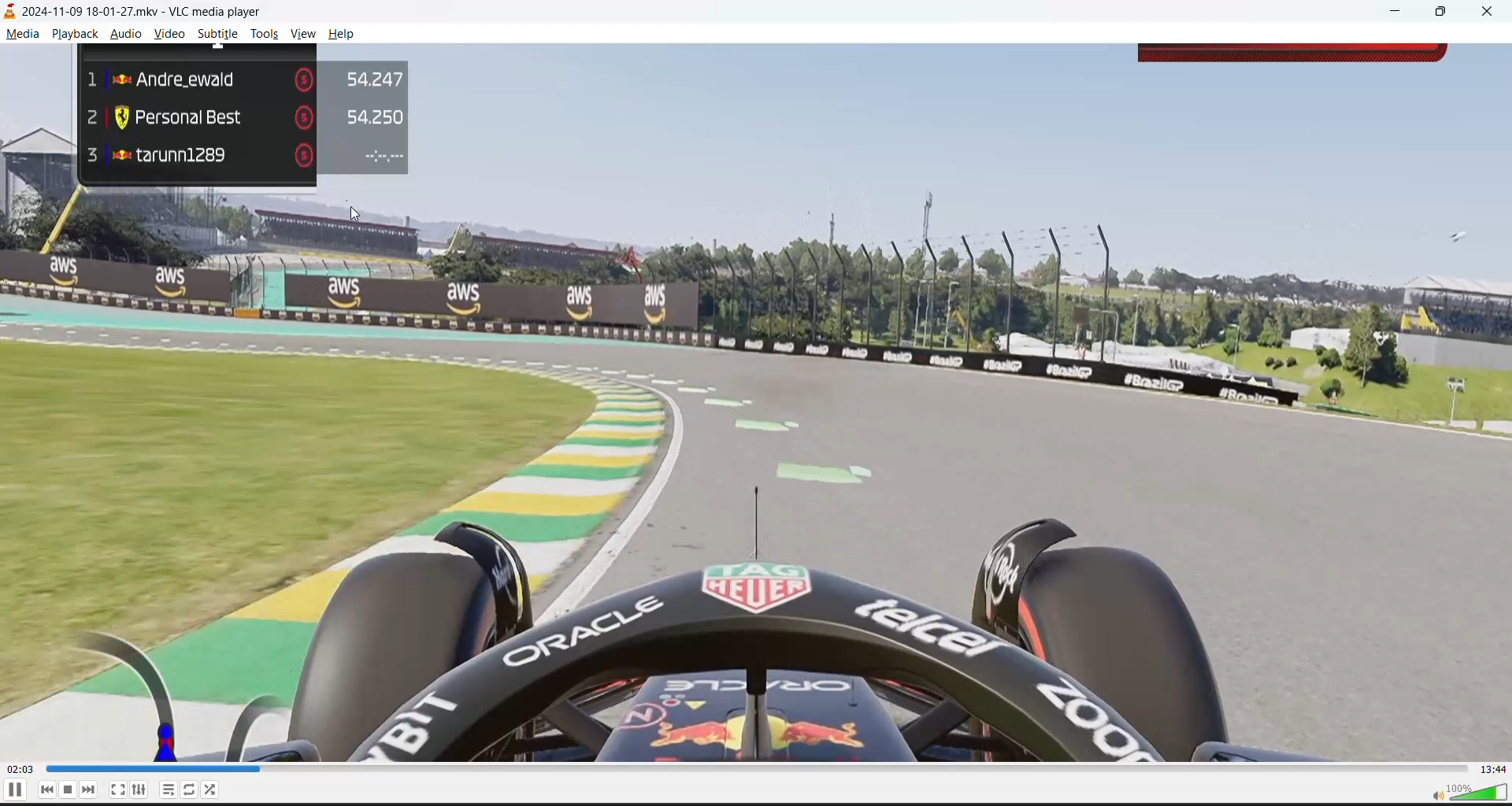 This screenshot has width=1512, height=806. I want to click on toggle fullscreen, so click(117, 789).